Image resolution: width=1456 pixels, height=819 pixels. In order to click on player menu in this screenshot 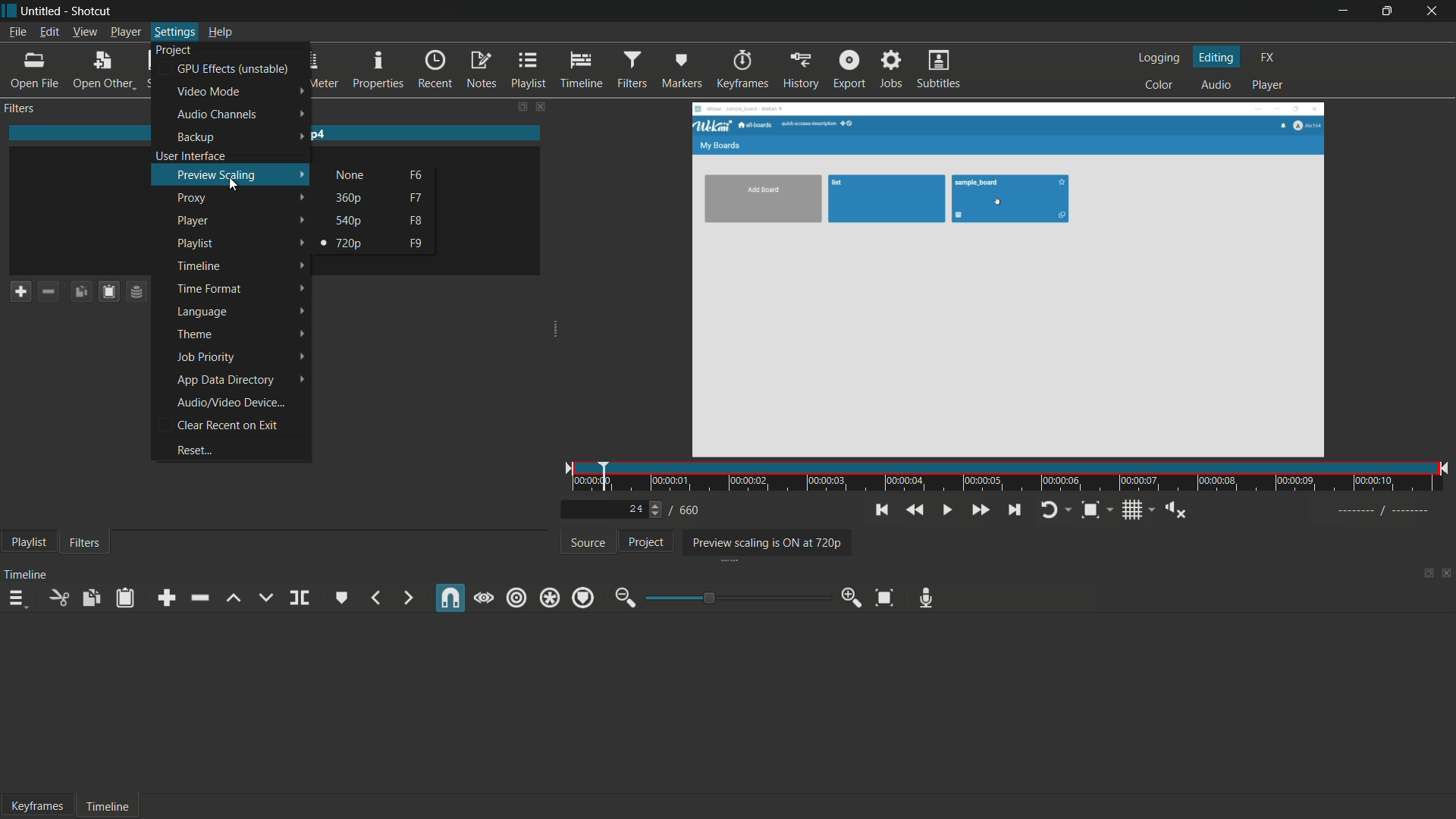, I will do `click(124, 32)`.